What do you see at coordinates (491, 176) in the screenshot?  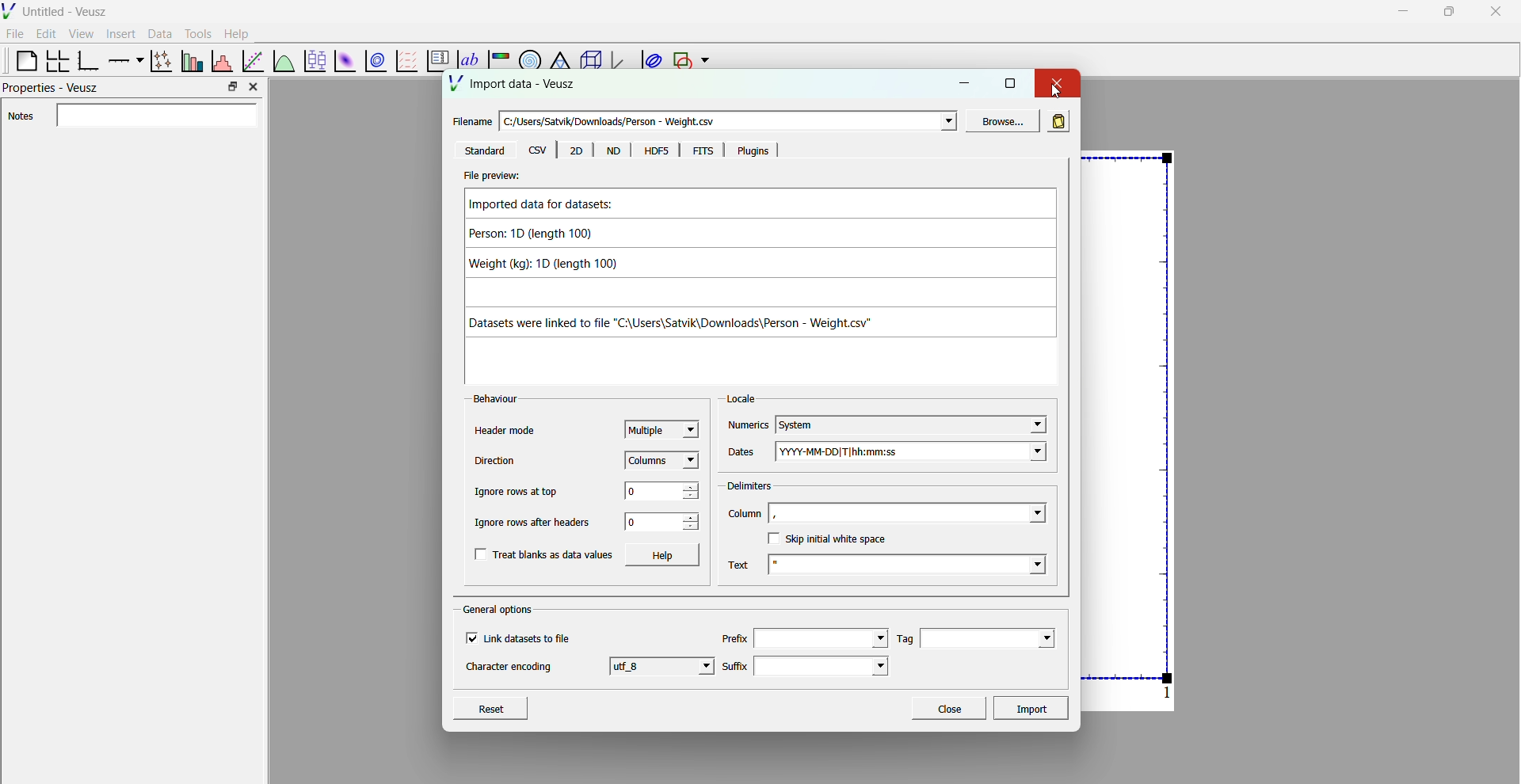 I see `File preview:` at bounding box center [491, 176].